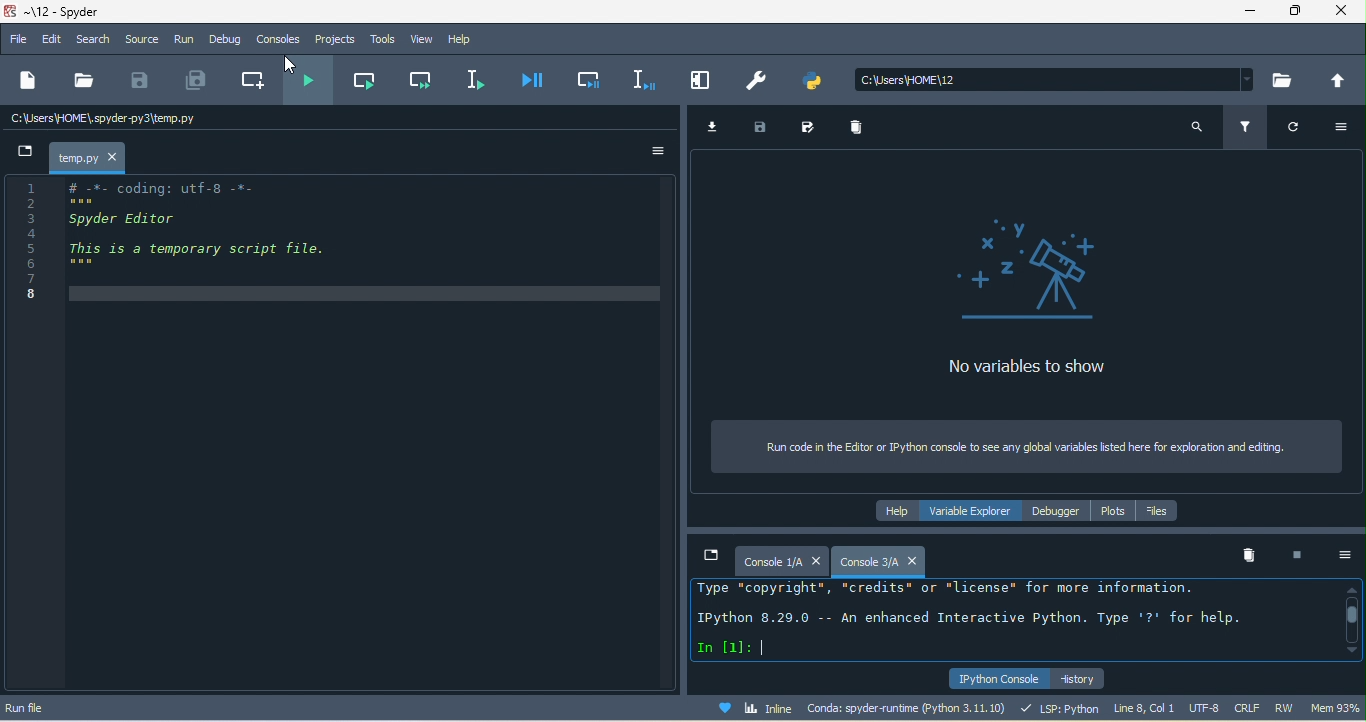  What do you see at coordinates (760, 81) in the screenshot?
I see `preference` at bounding box center [760, 81].